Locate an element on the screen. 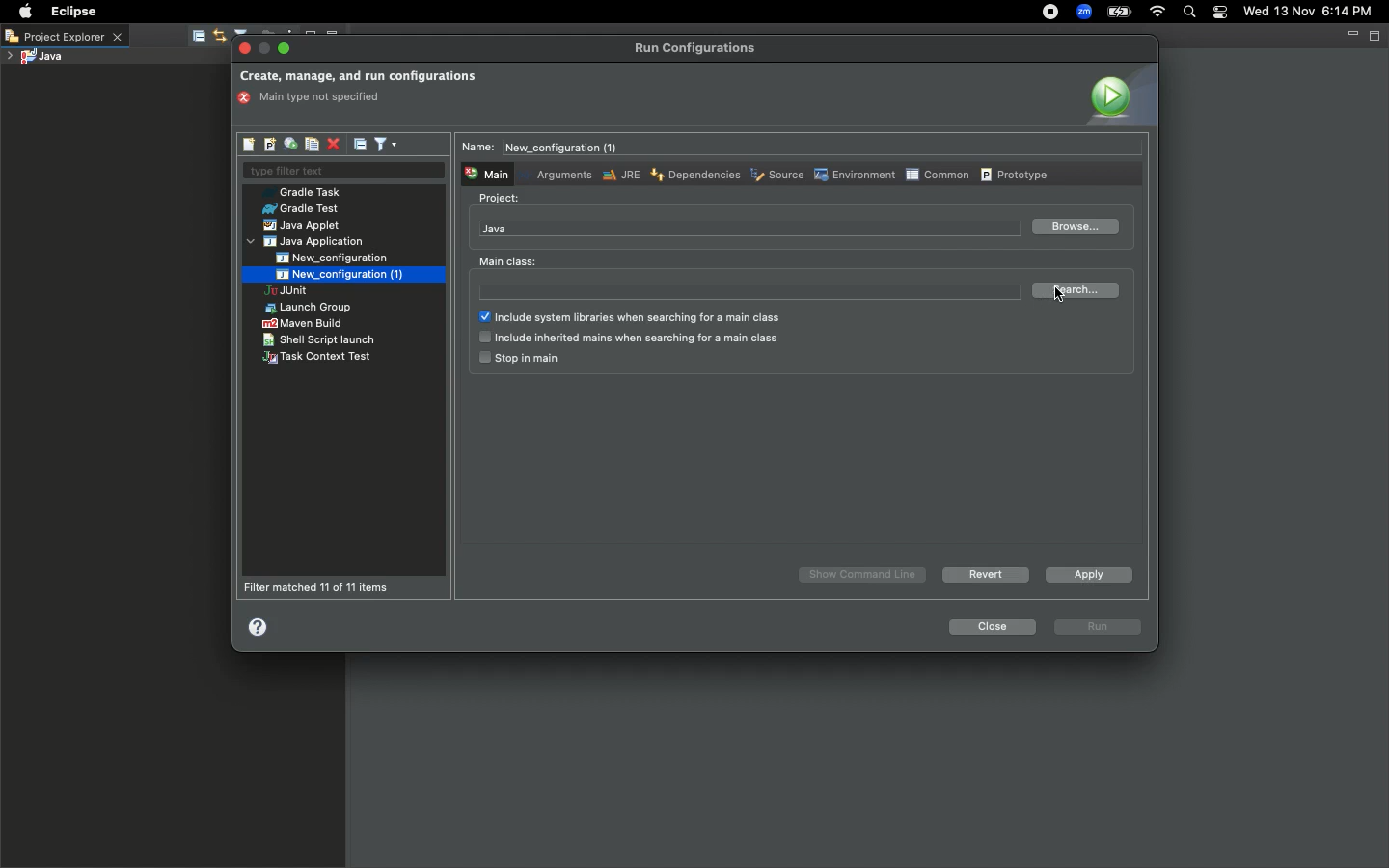 This screenshot has height=868, width=1389. Close is located at coordinates (990, 627).